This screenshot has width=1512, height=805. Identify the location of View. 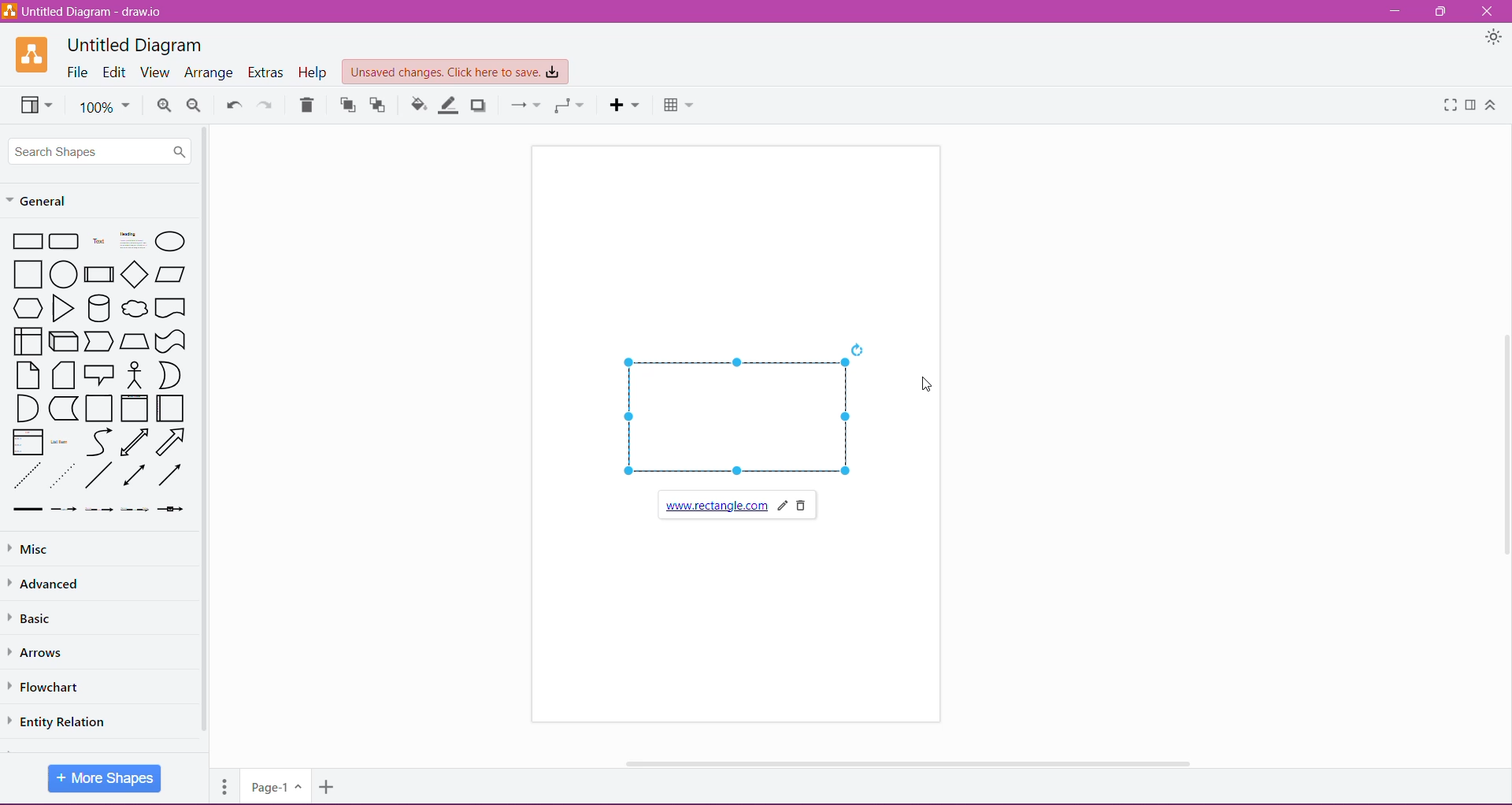
(154, 72).